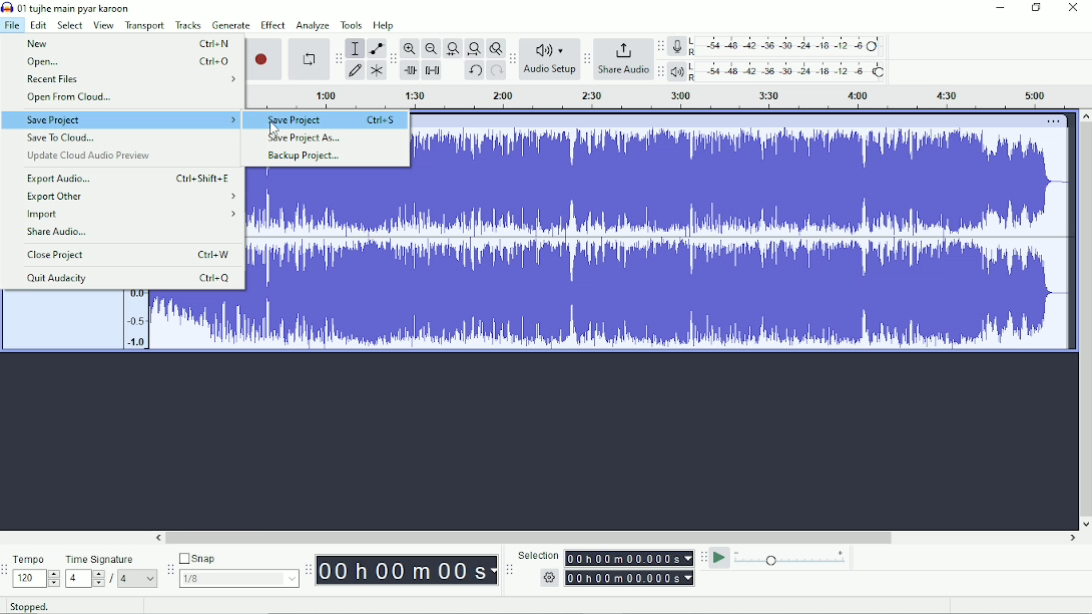 The image size is (1092, 614). I want to click on Selection, so click(607, 566).